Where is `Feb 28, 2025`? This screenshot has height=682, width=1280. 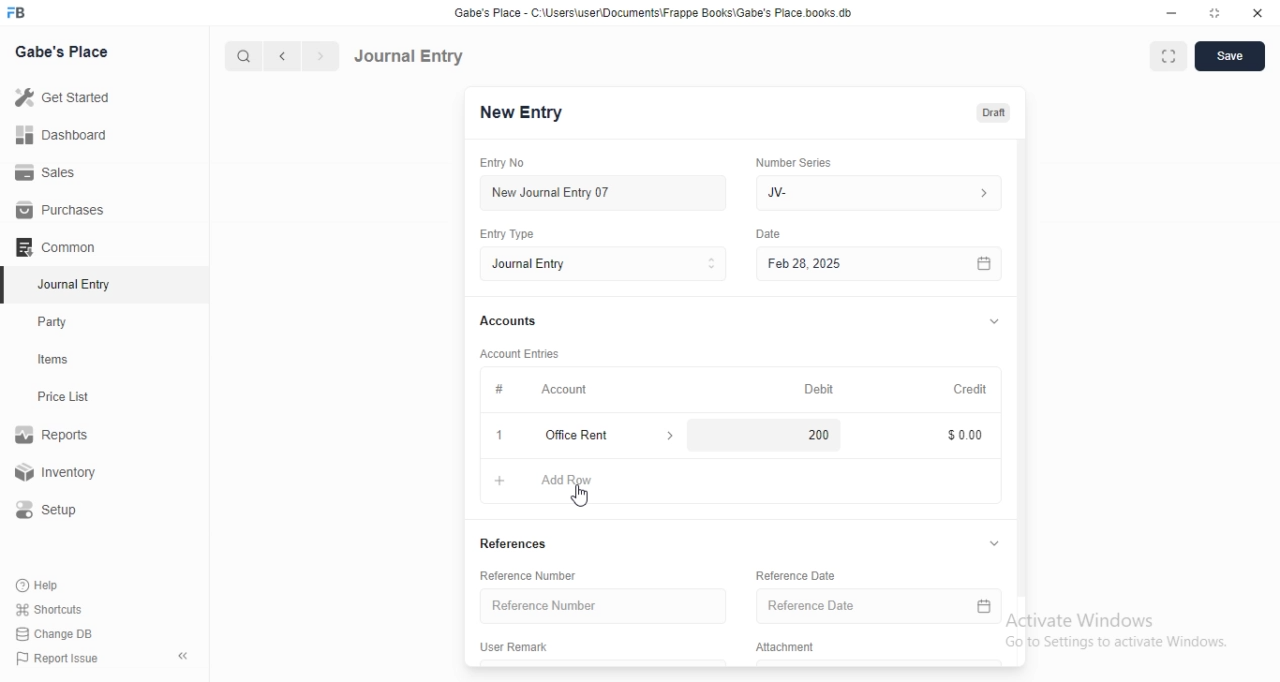
Feb 28, 2025 is located at coordinates (880, 265).